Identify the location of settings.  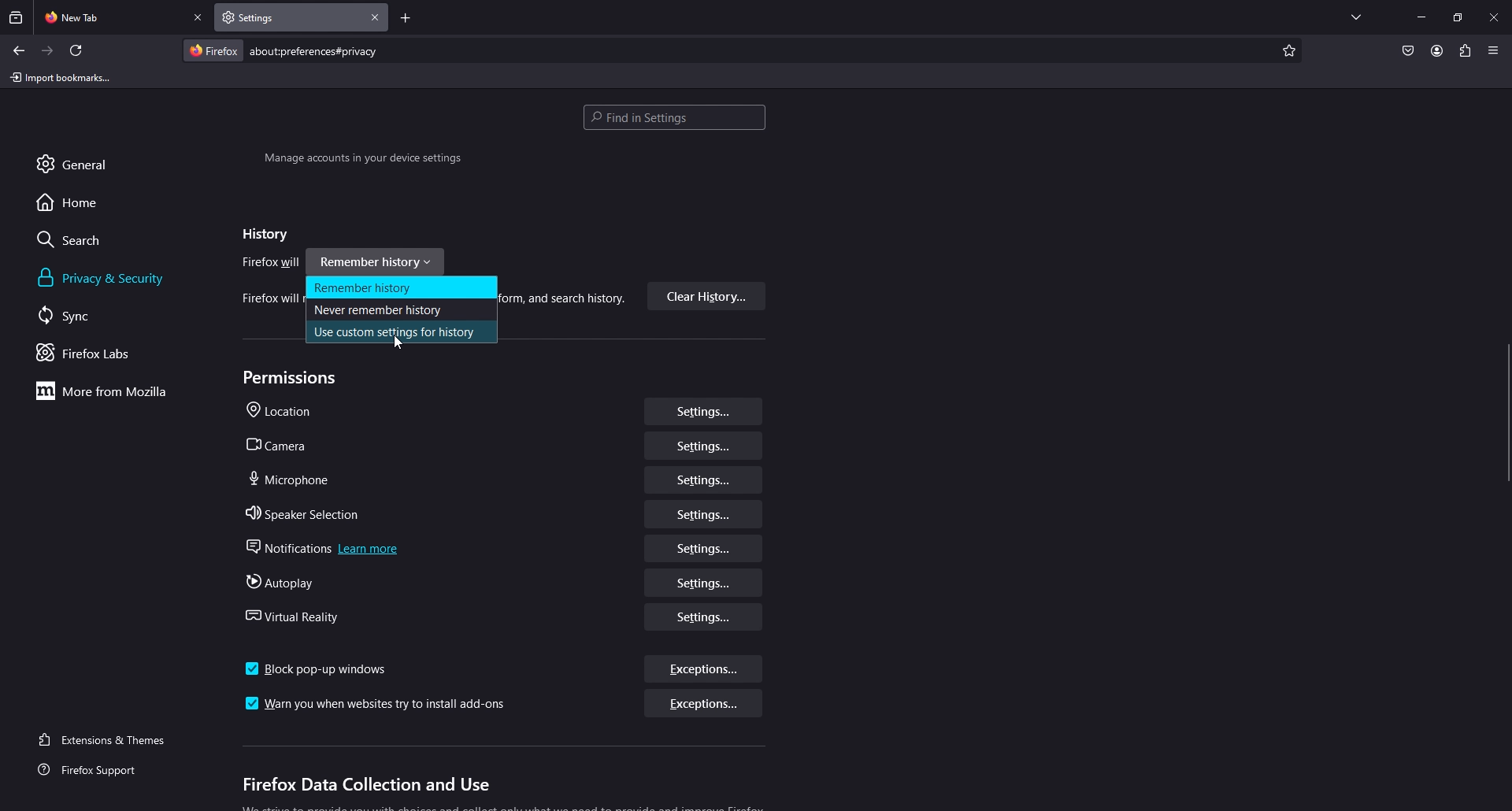
(705, 617).